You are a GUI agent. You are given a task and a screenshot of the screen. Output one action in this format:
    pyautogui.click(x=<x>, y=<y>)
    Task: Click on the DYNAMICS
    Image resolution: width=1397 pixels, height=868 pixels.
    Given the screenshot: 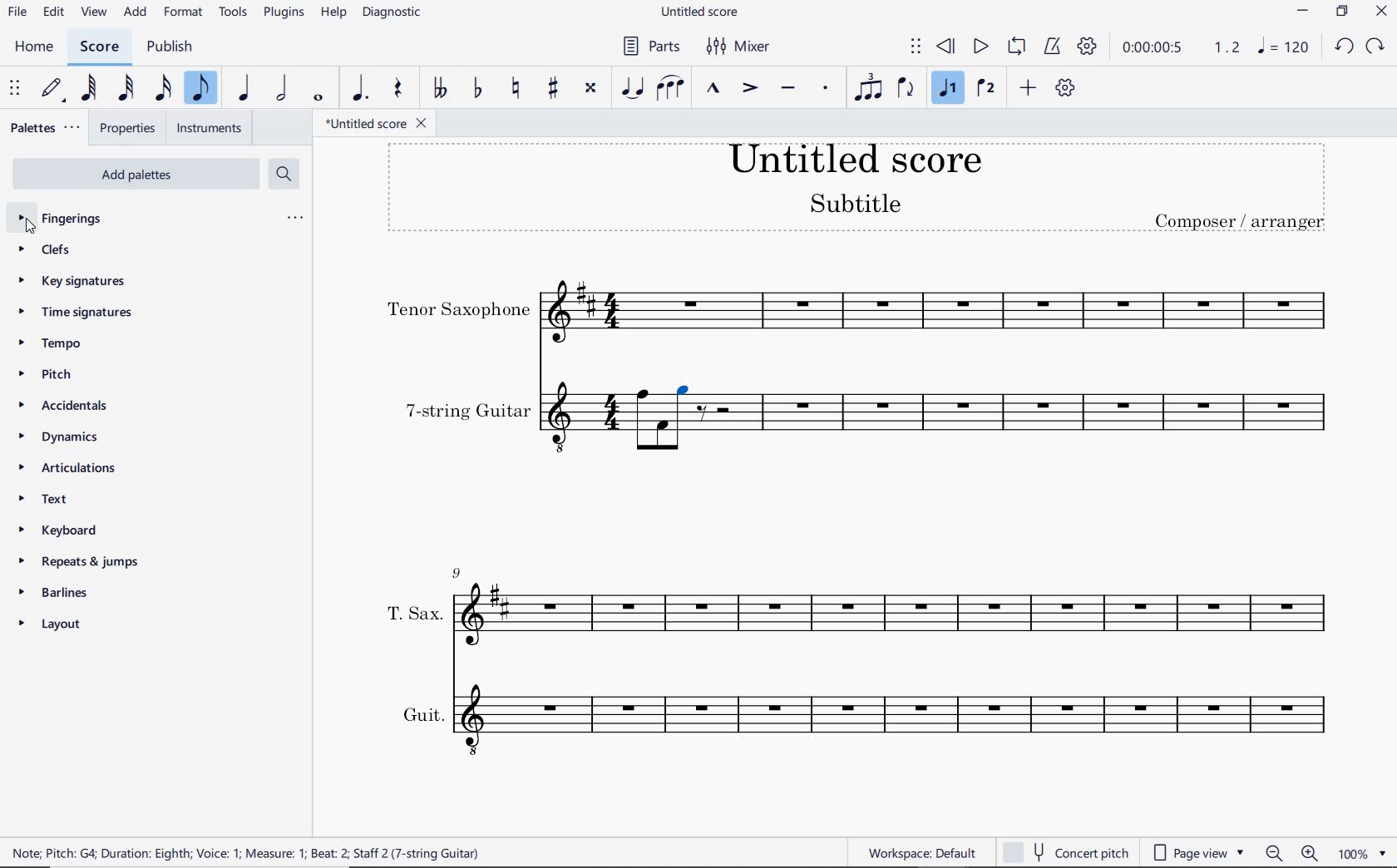 What is the action you would take?
    pyautogui.click(x=70, y=436)
    